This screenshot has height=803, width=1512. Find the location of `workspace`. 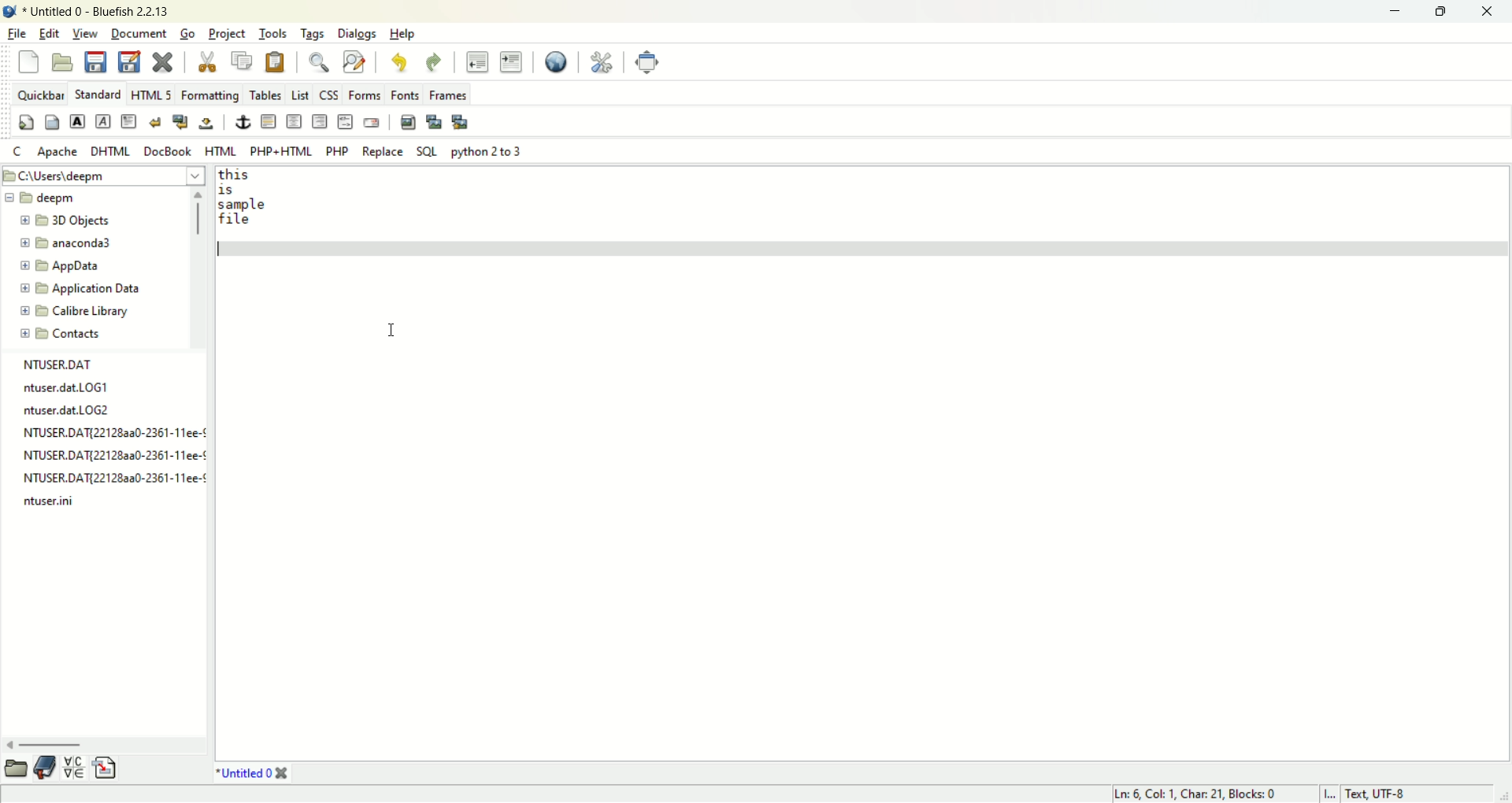

workspace is located at coordinates (864, 500).